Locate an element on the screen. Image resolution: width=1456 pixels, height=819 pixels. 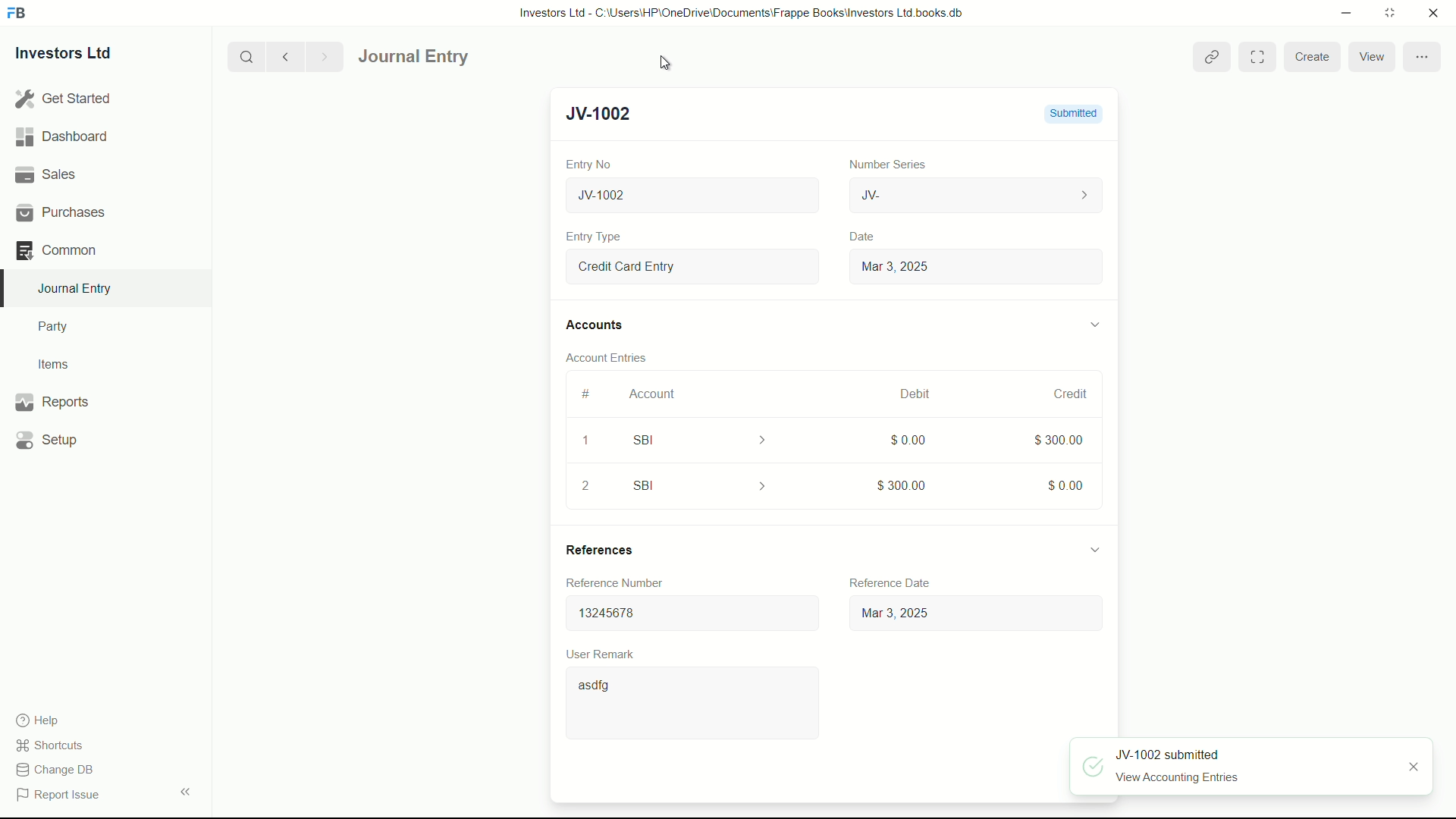
close is located at coordinates (1434, 14).